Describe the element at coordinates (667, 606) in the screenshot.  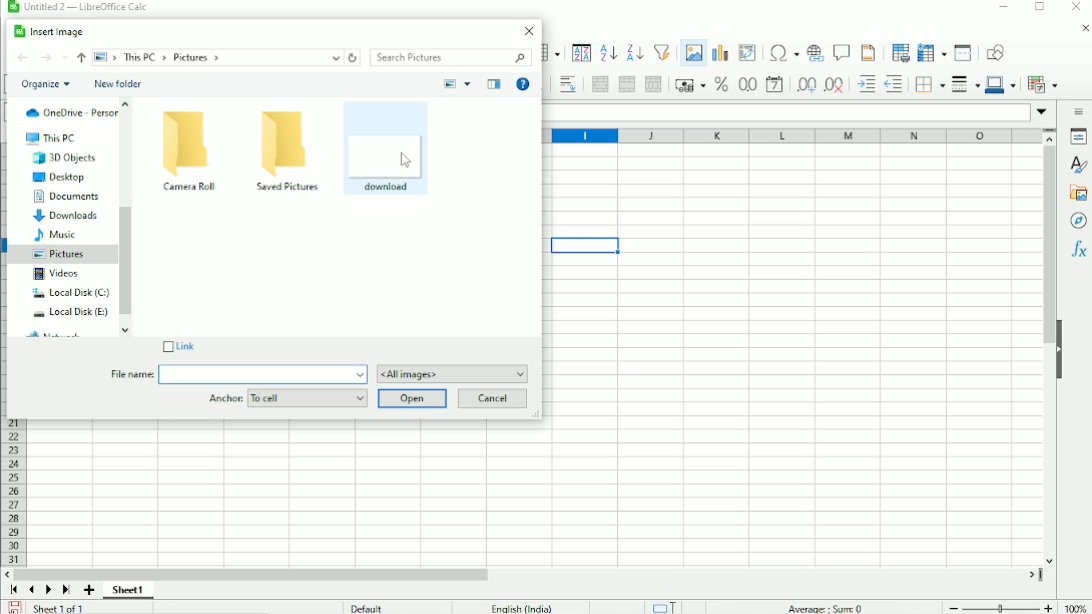
I see `Standard selection` at that location.